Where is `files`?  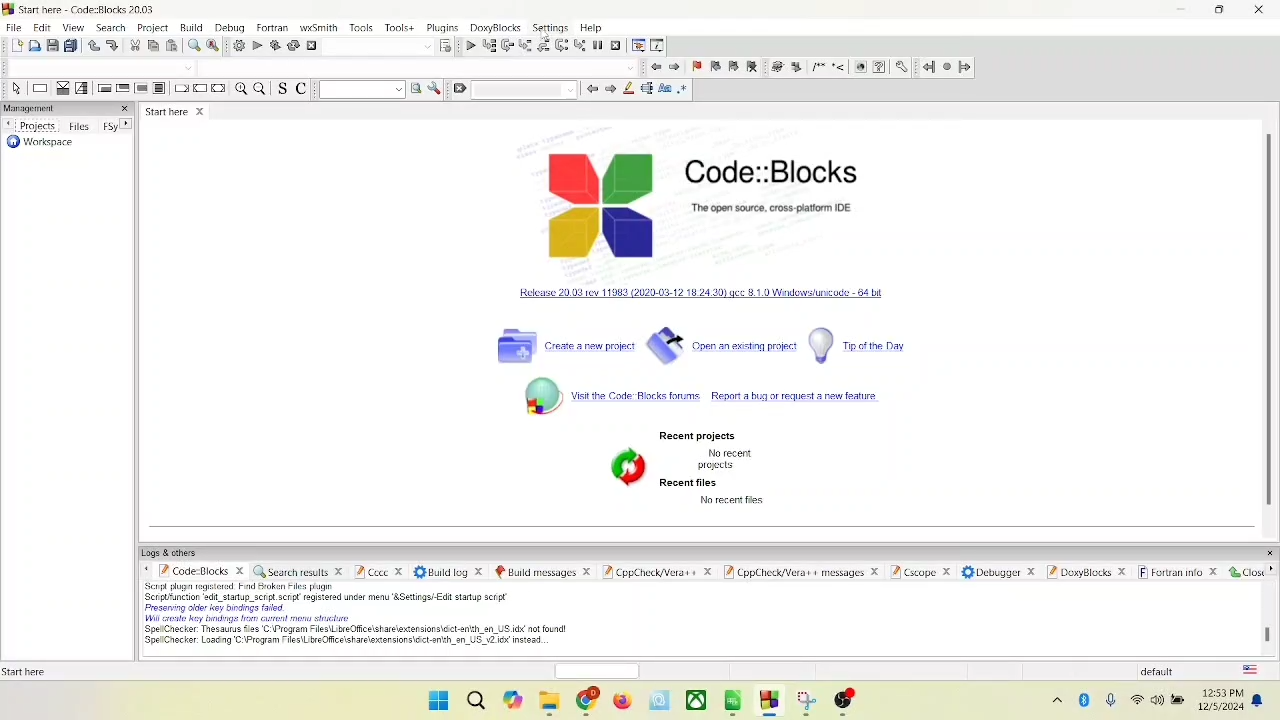
files is located at coordinates (81, 126).